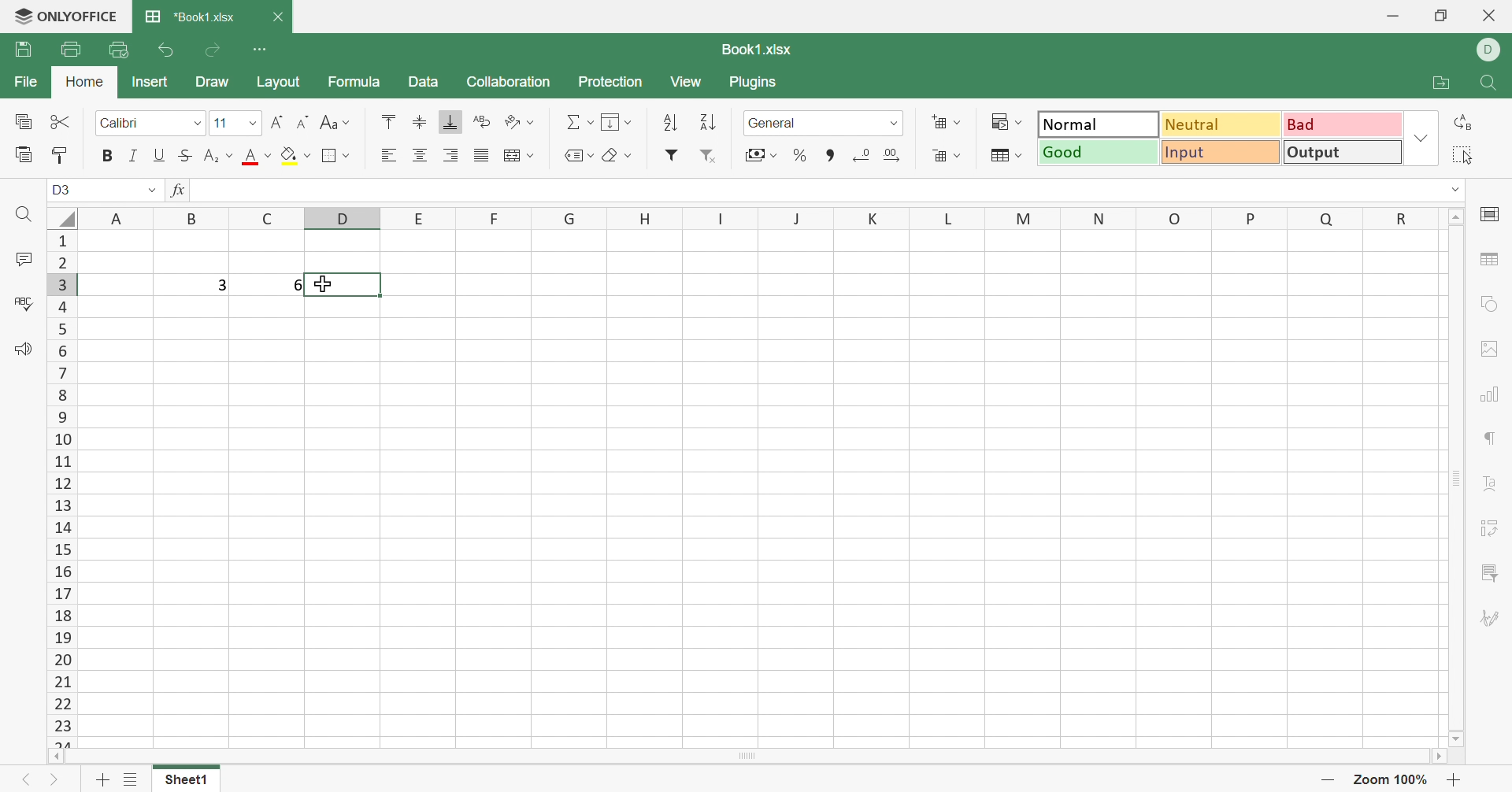  I want to click on Shape settings, so click(1491, 305).